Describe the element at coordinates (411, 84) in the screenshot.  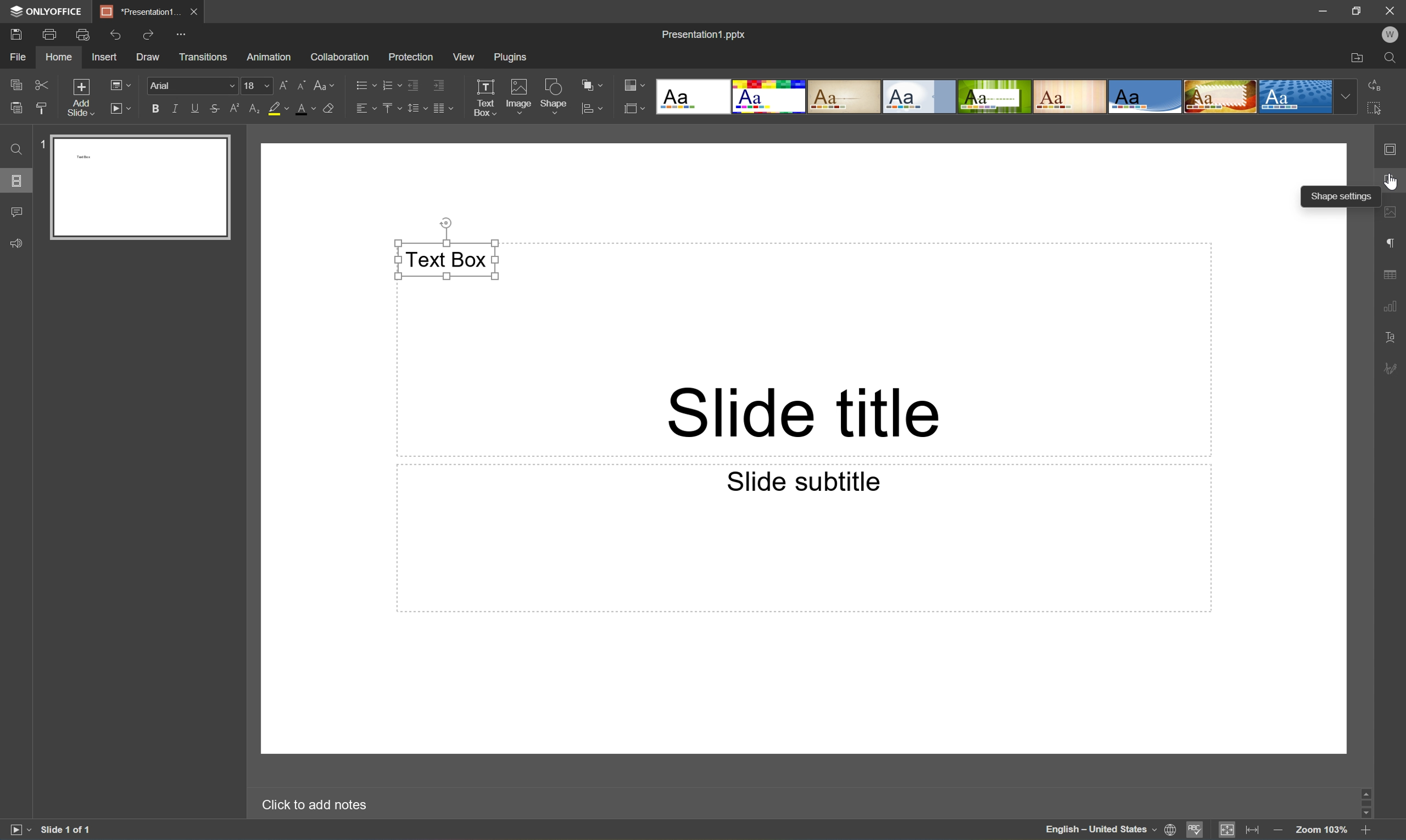
I see `Decrease indent` at that location.